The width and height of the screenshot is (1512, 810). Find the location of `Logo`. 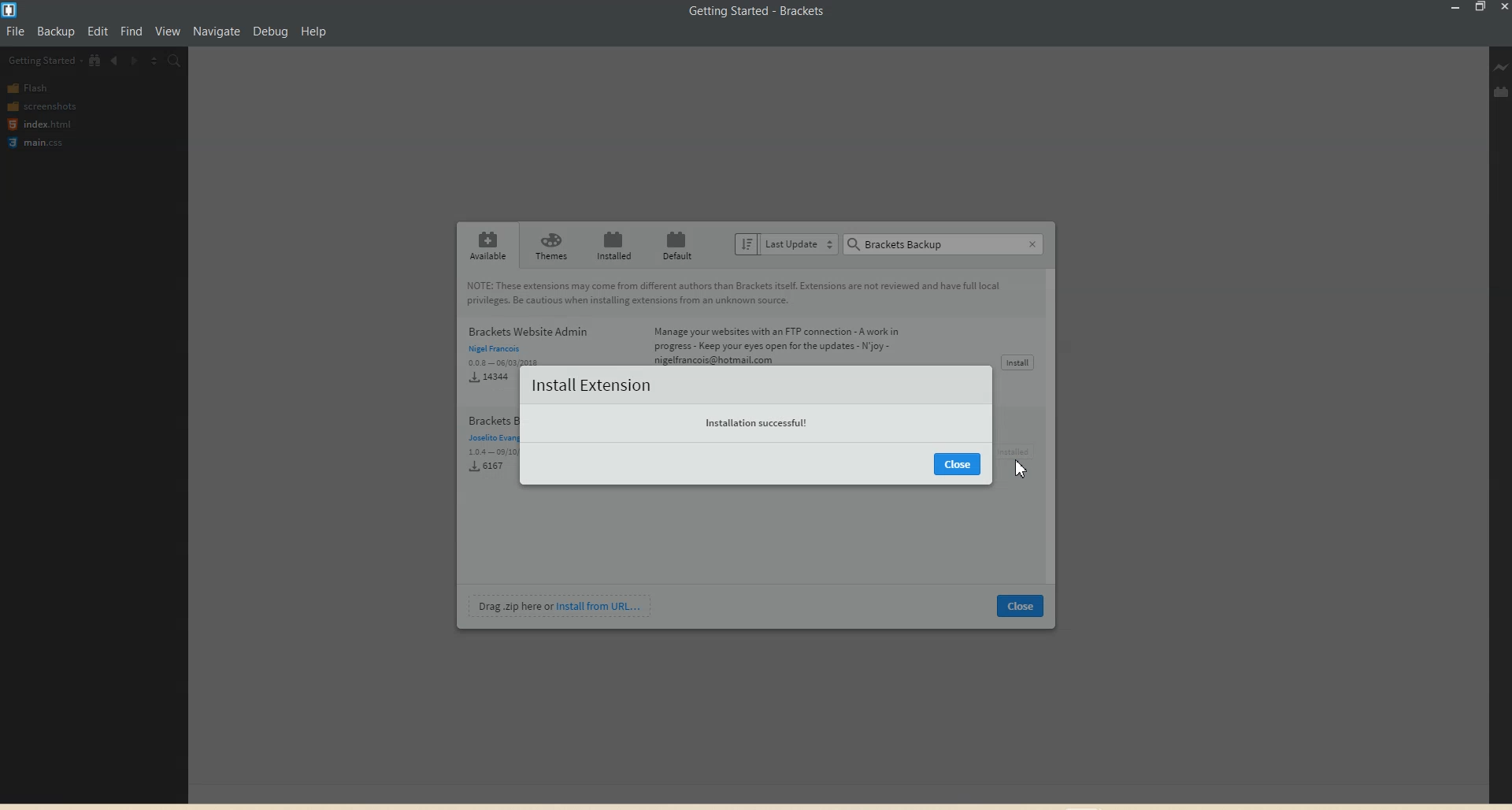

Logo is located at coordinates (12, 10).